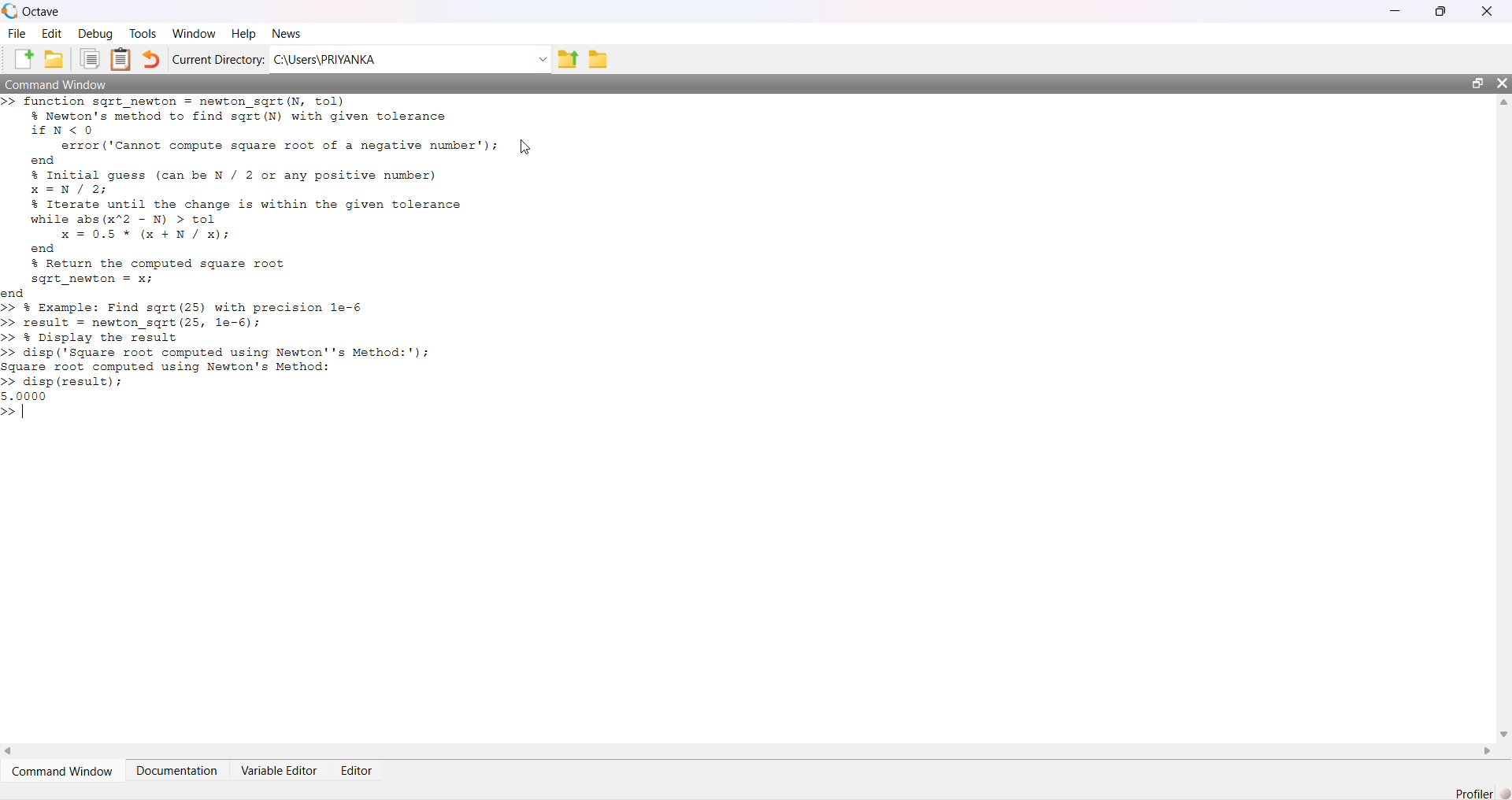 This screenshot has width=1512, height=800. Describe the element at coordinates (1392, 11) in the screenshot. I see `Minimize` at that location.